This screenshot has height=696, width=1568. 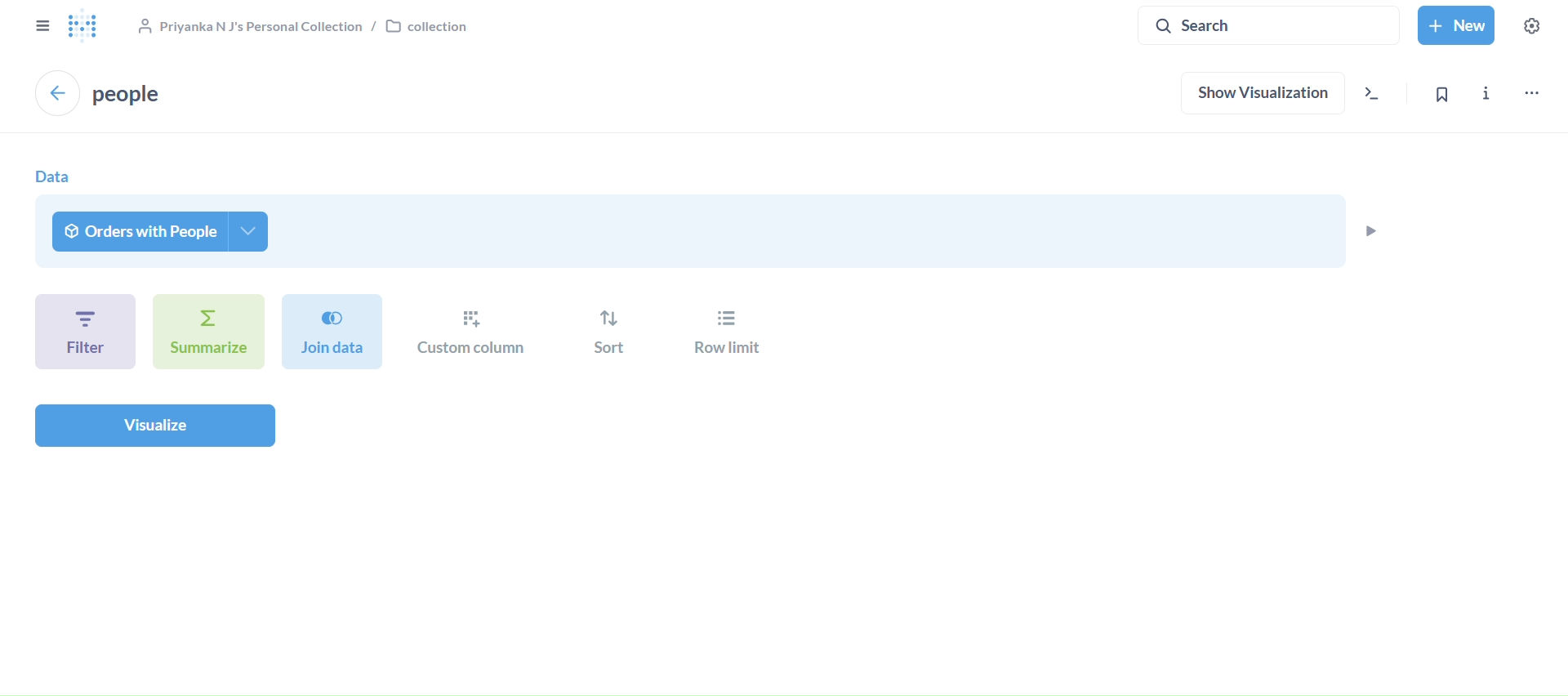 I want to click on back, so click(x=57, y=92).